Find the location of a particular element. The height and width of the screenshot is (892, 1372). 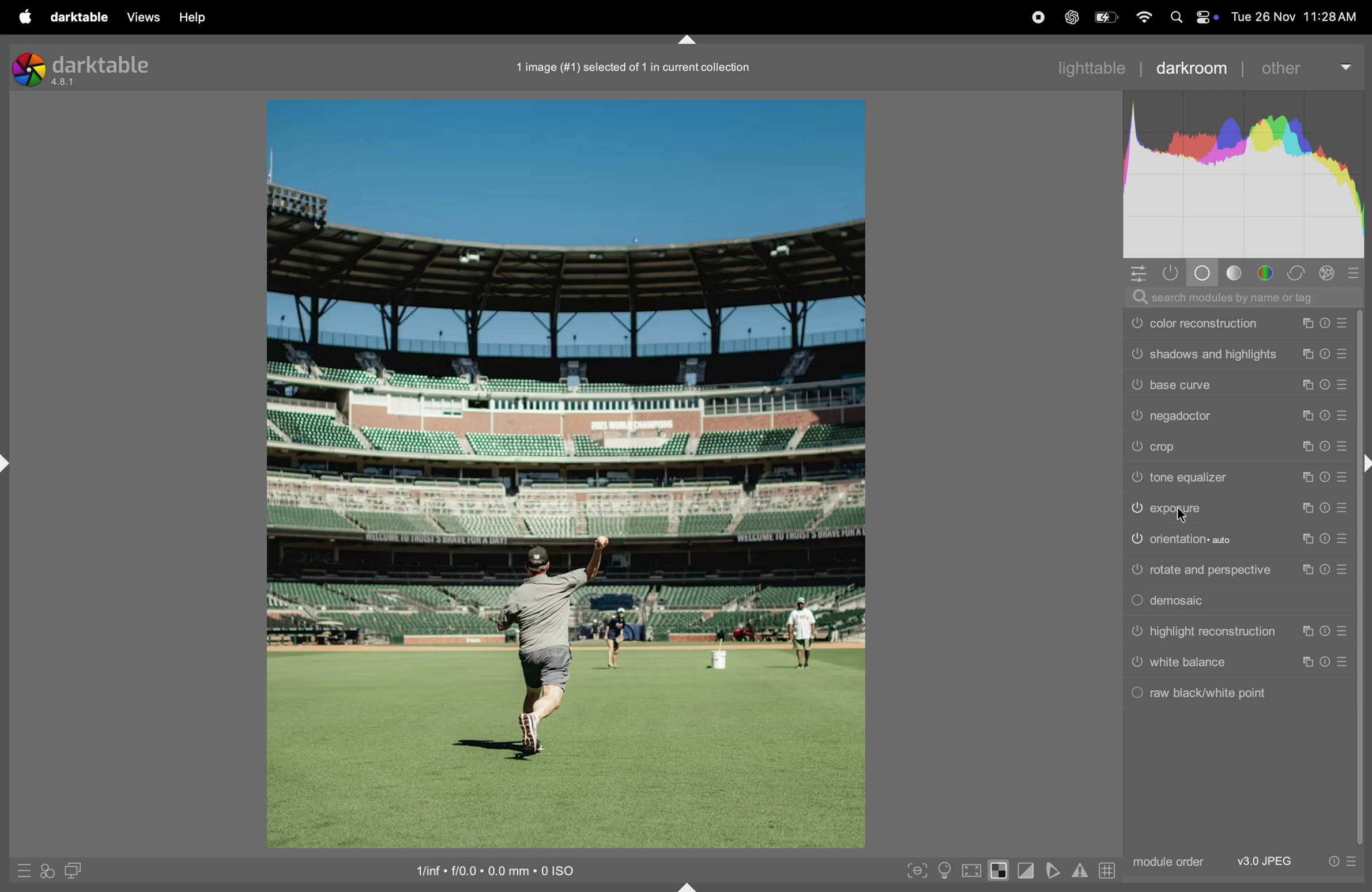

reset presets is located at coordinates (1327, 415).